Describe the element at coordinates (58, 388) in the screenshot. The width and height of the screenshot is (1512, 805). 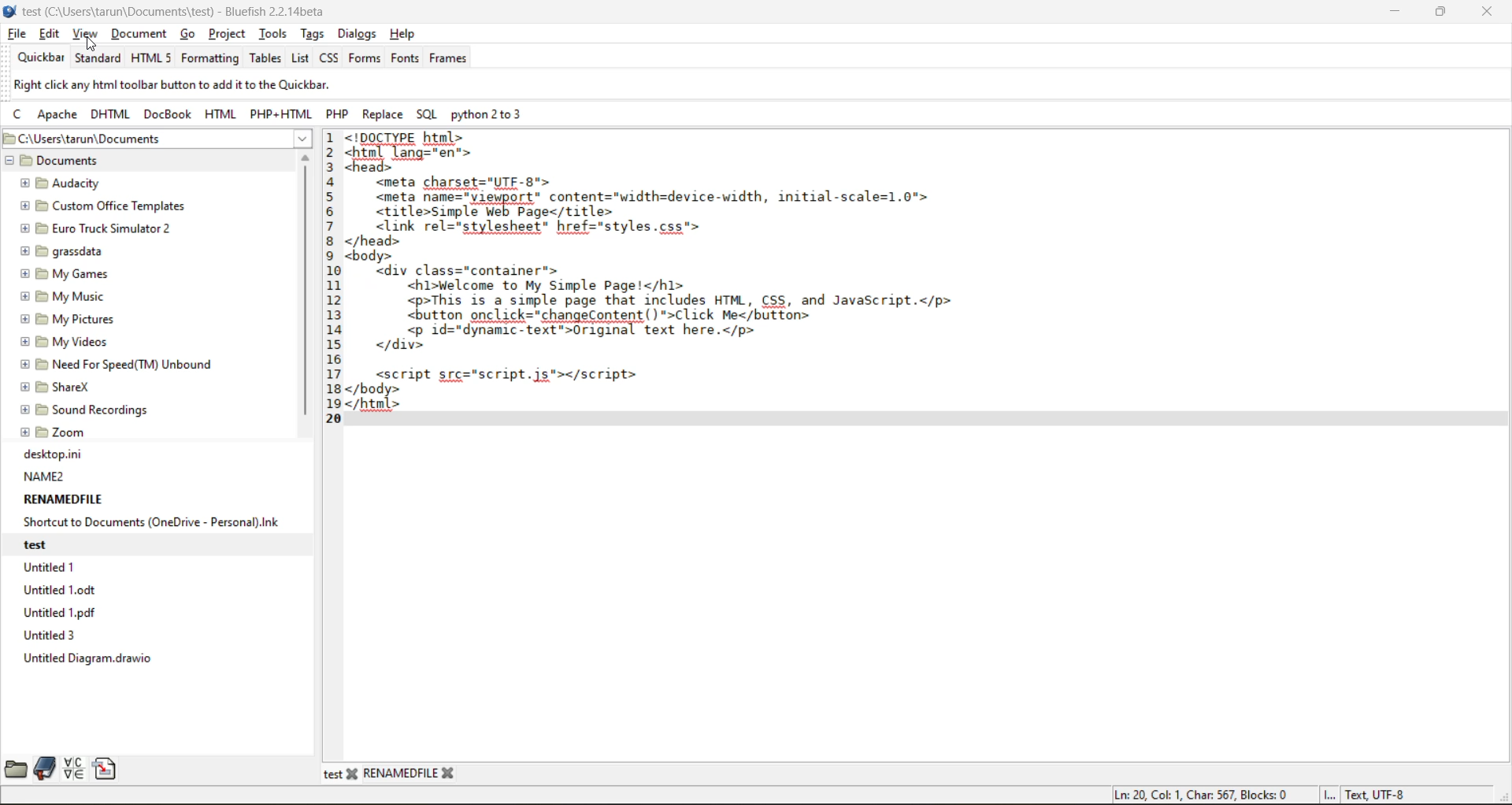
I see `# [9 ShareX` at that location.